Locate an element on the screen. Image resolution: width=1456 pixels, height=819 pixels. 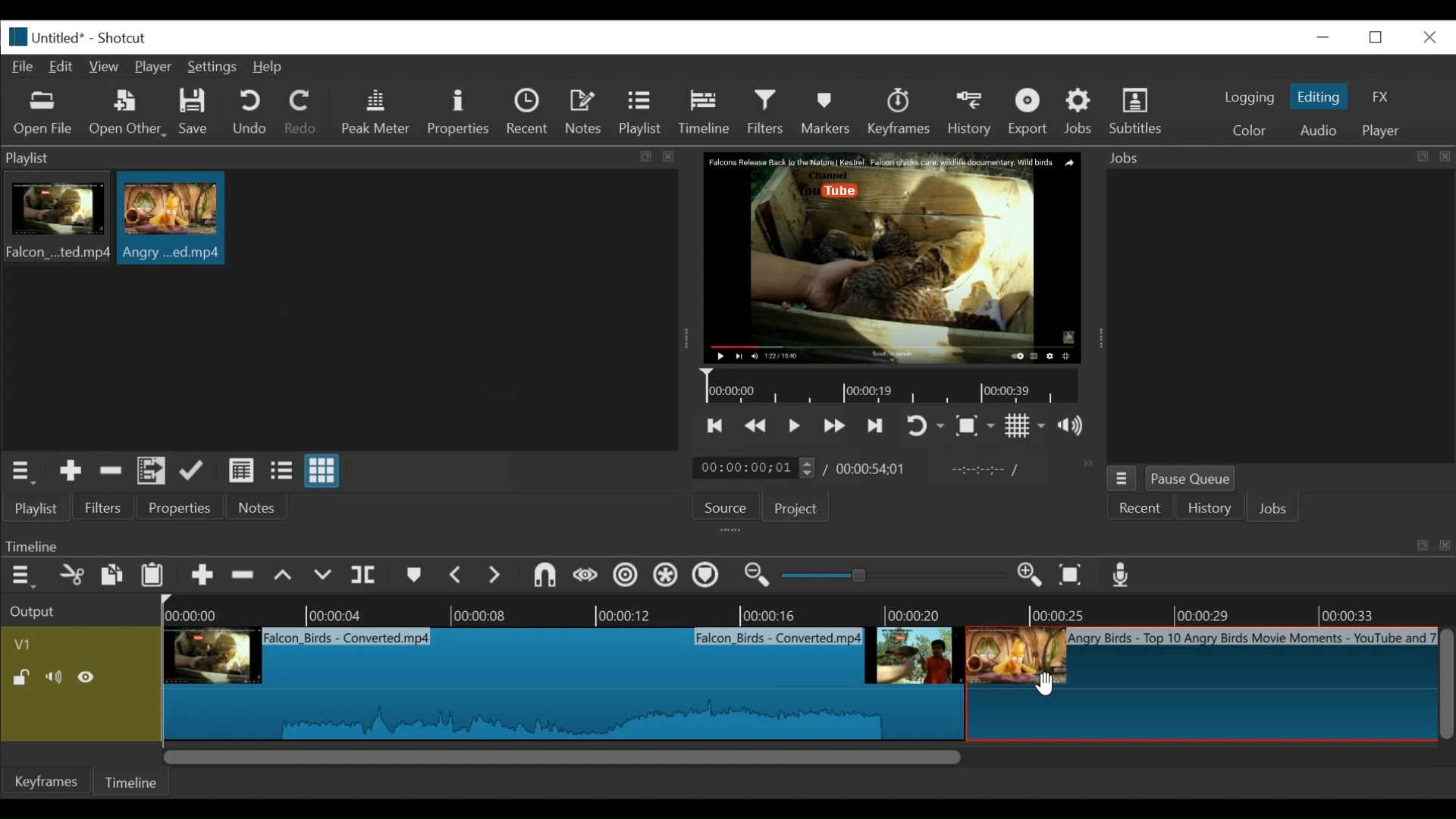
Filters is located at coordinates (770, 112).